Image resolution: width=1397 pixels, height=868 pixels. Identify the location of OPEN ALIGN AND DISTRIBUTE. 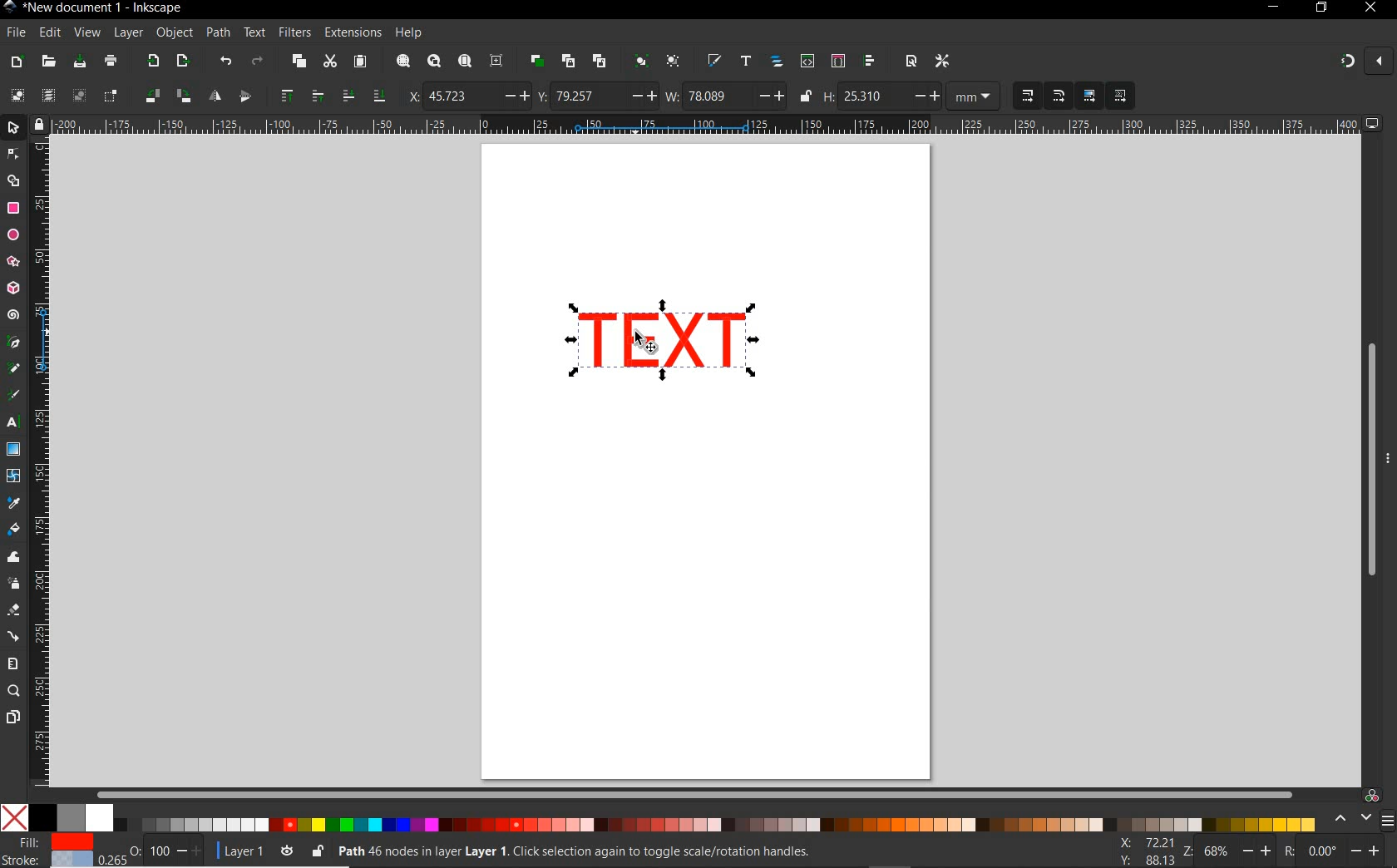
(870, 61).